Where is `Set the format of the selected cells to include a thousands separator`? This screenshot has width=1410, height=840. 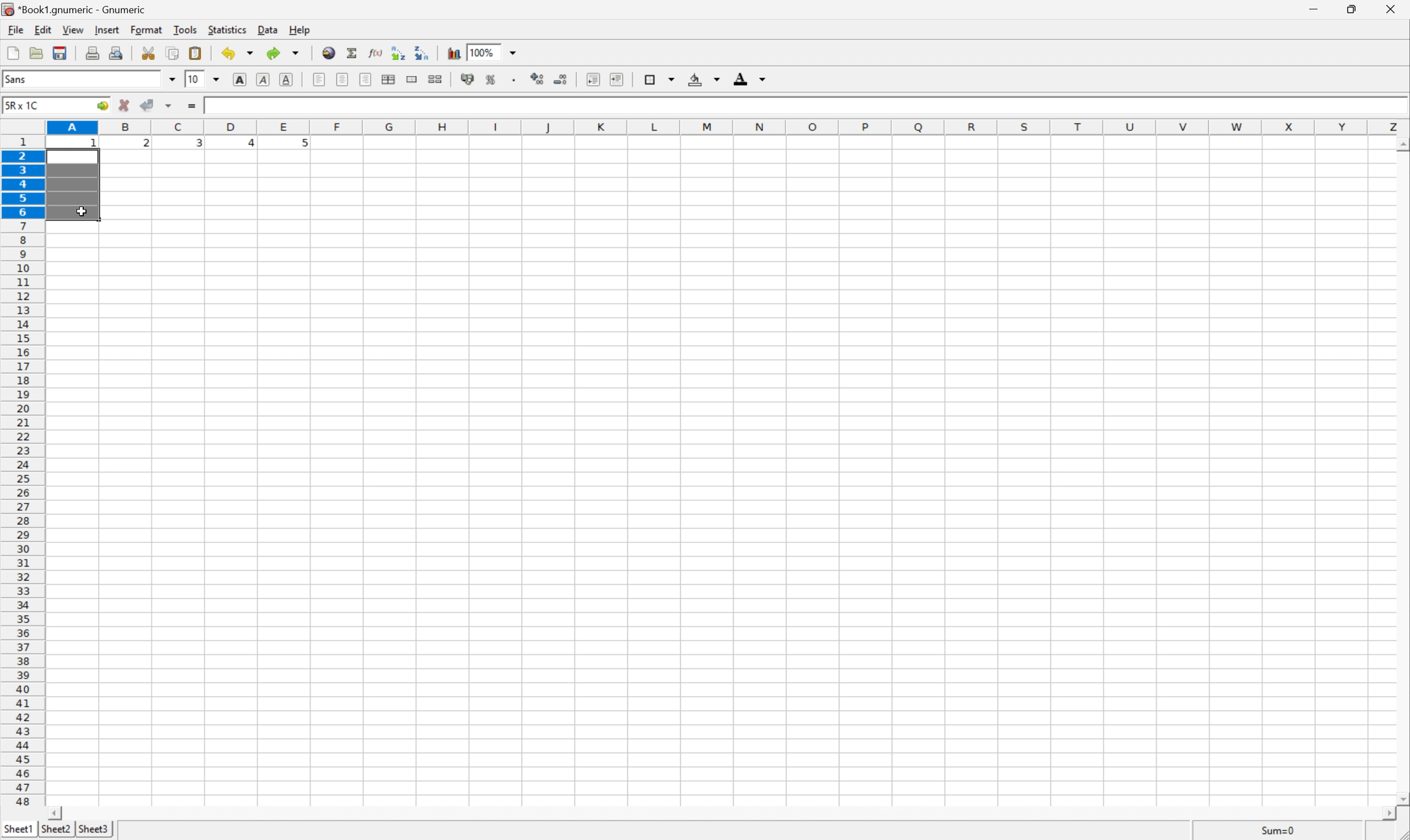
Set the format of the selected cells to include a thousands separator is located at coordinates (514, 80).